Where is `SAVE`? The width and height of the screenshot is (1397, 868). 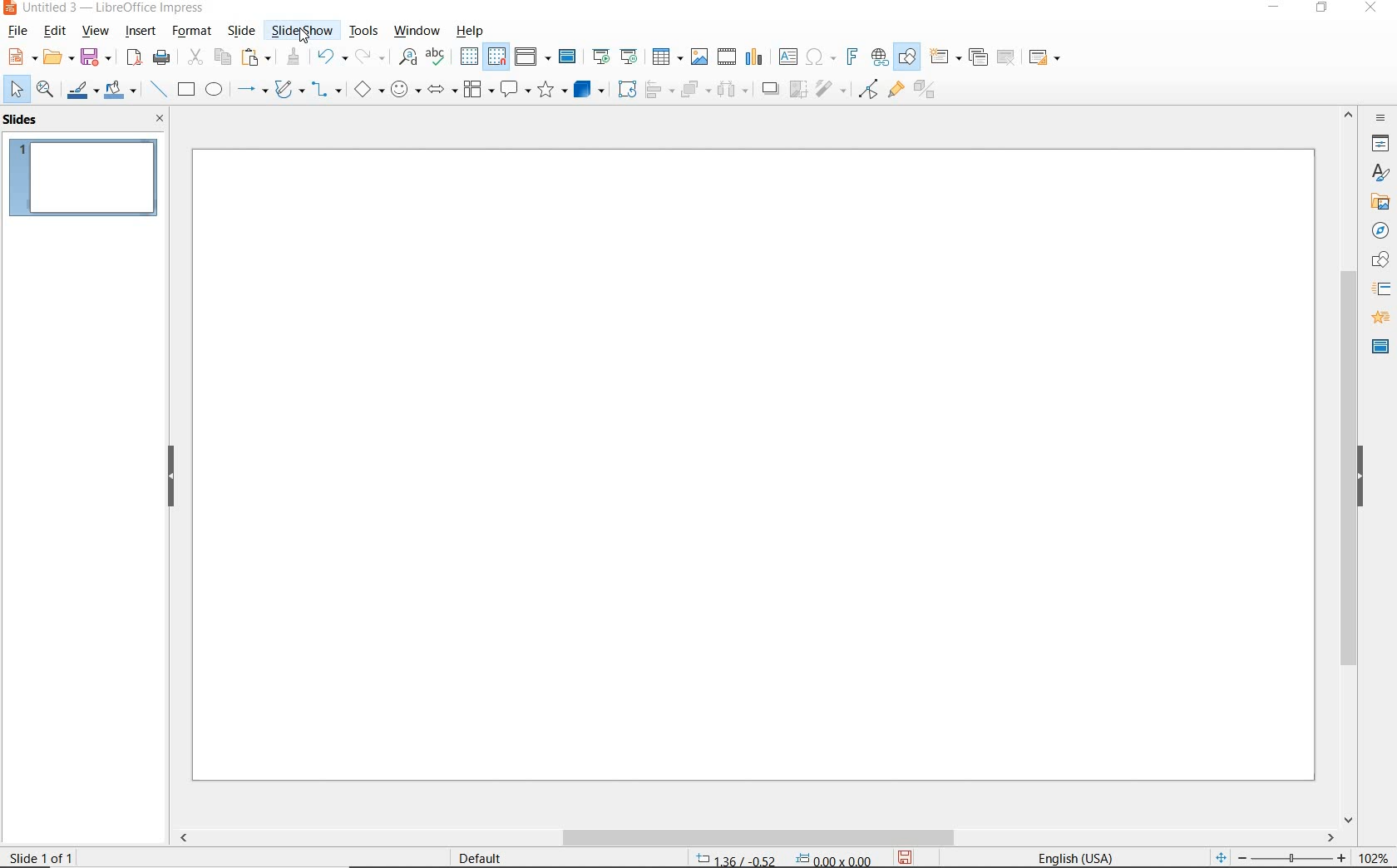 SAVE is located at coordinates (906, 856).